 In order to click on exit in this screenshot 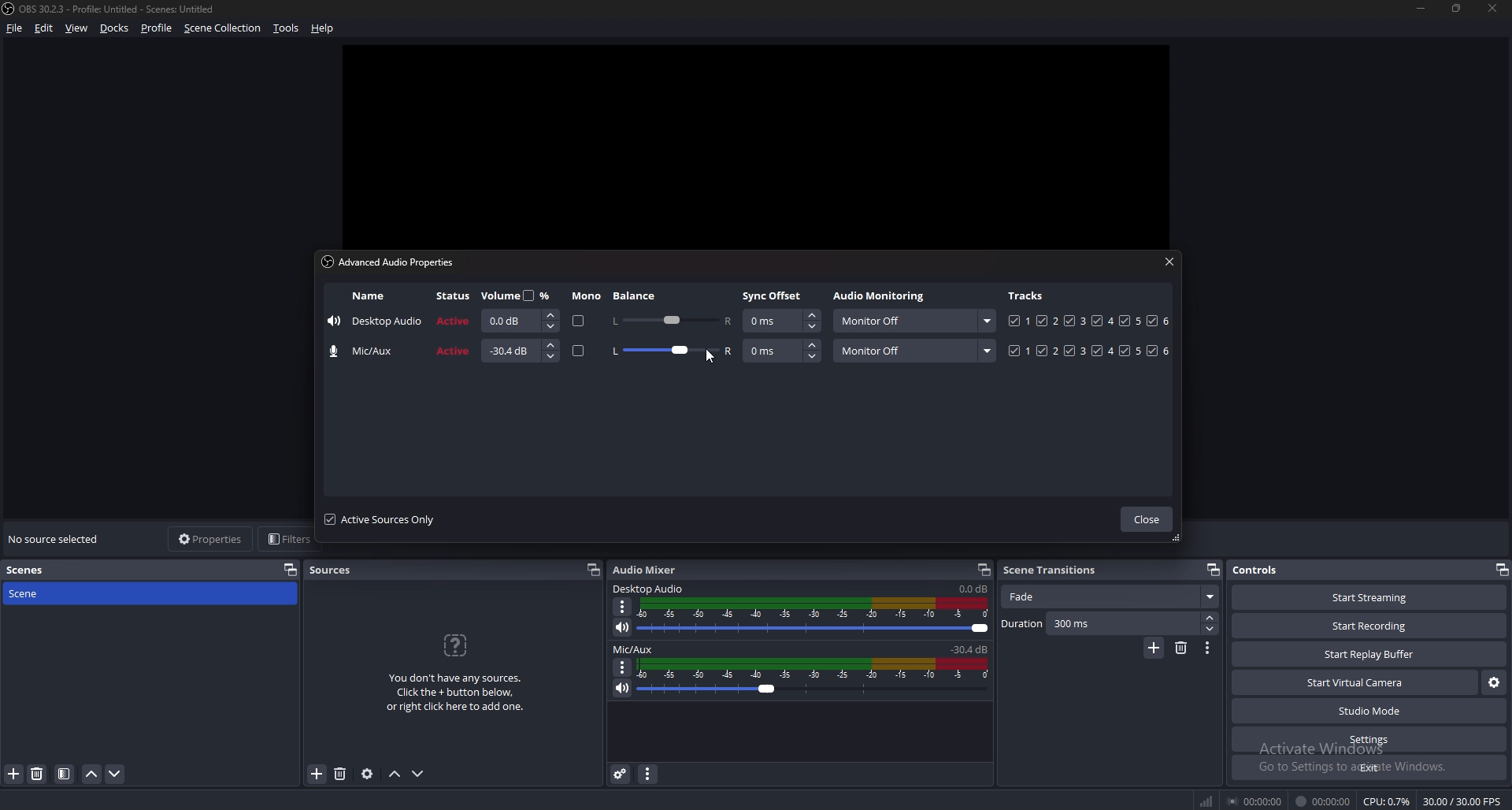, I will do `click(1369, 767)`.